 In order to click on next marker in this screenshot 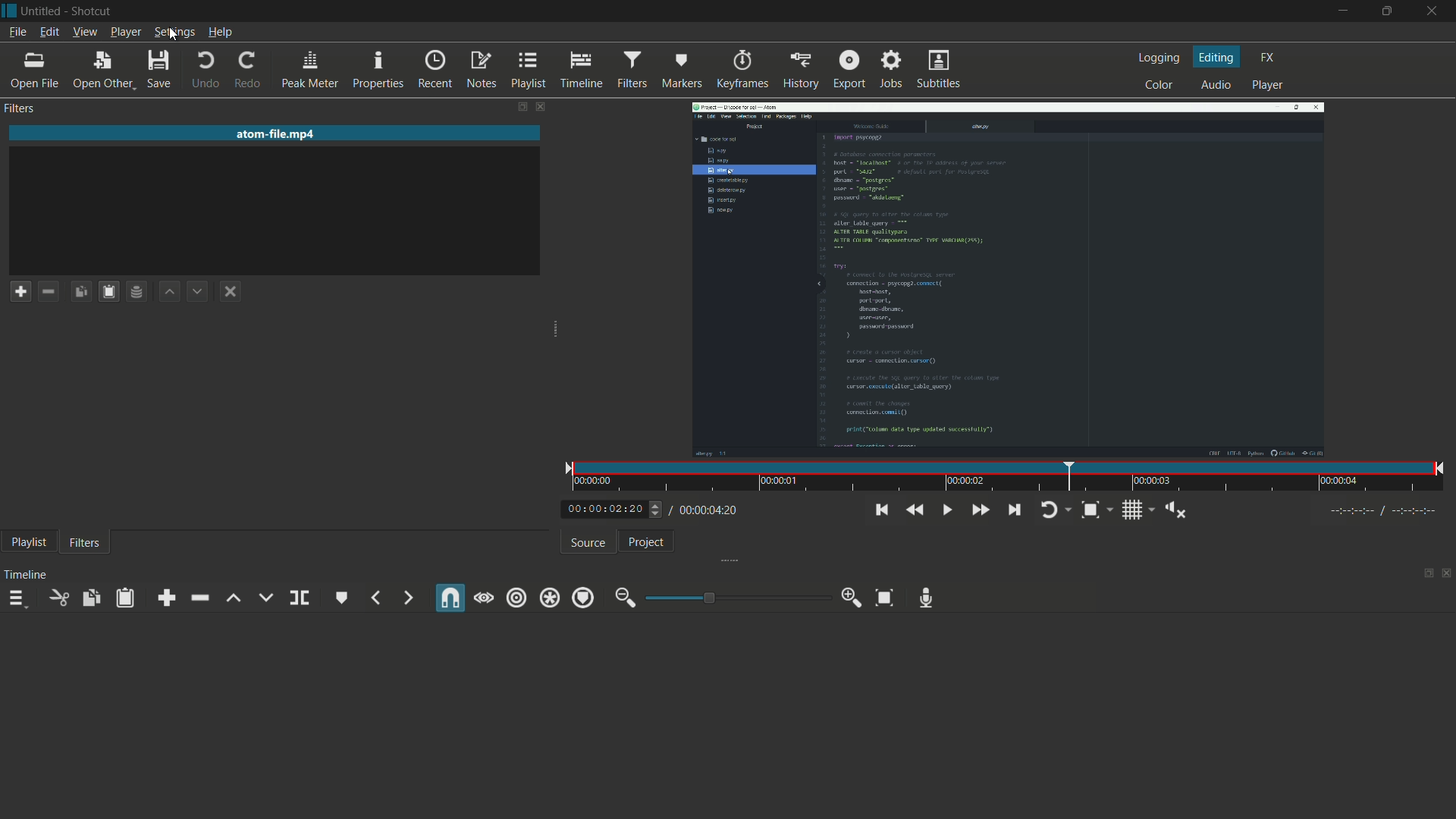, I will do `click(407, 597)`.